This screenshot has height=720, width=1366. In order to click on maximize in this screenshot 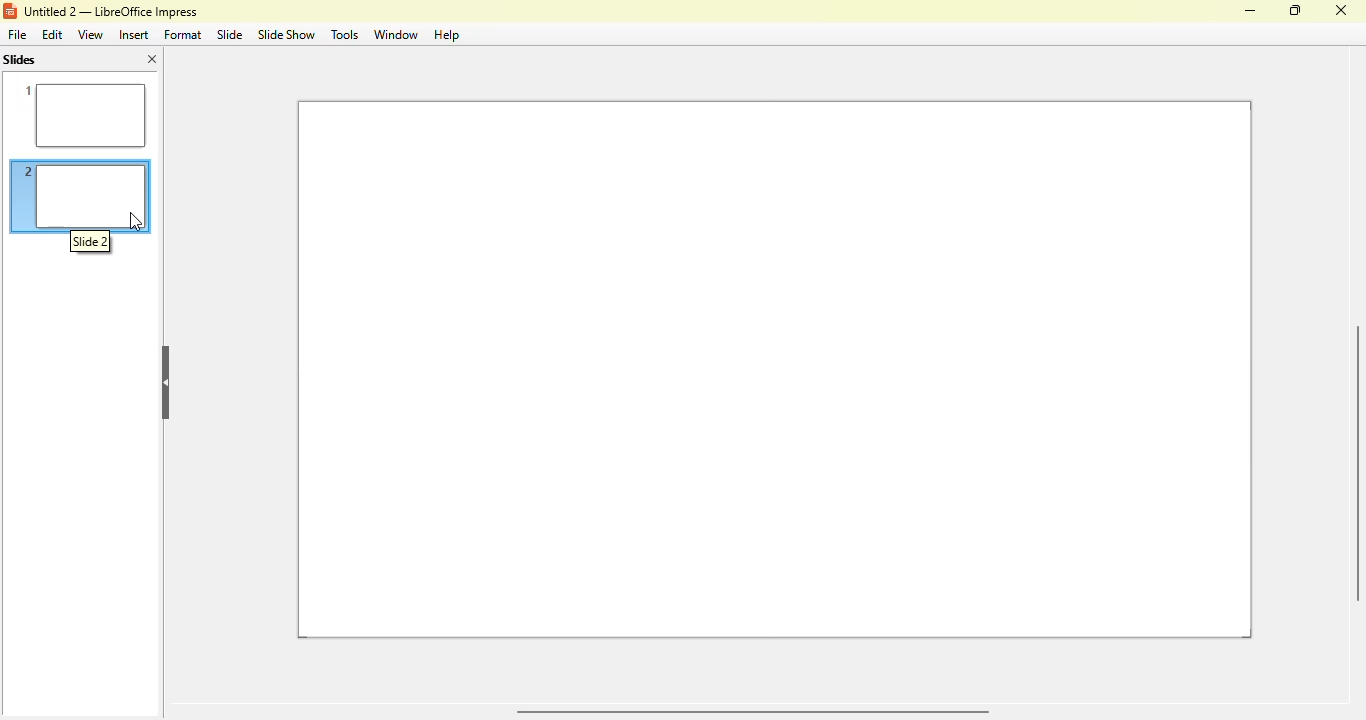, I will do `click(1296, 10)`.